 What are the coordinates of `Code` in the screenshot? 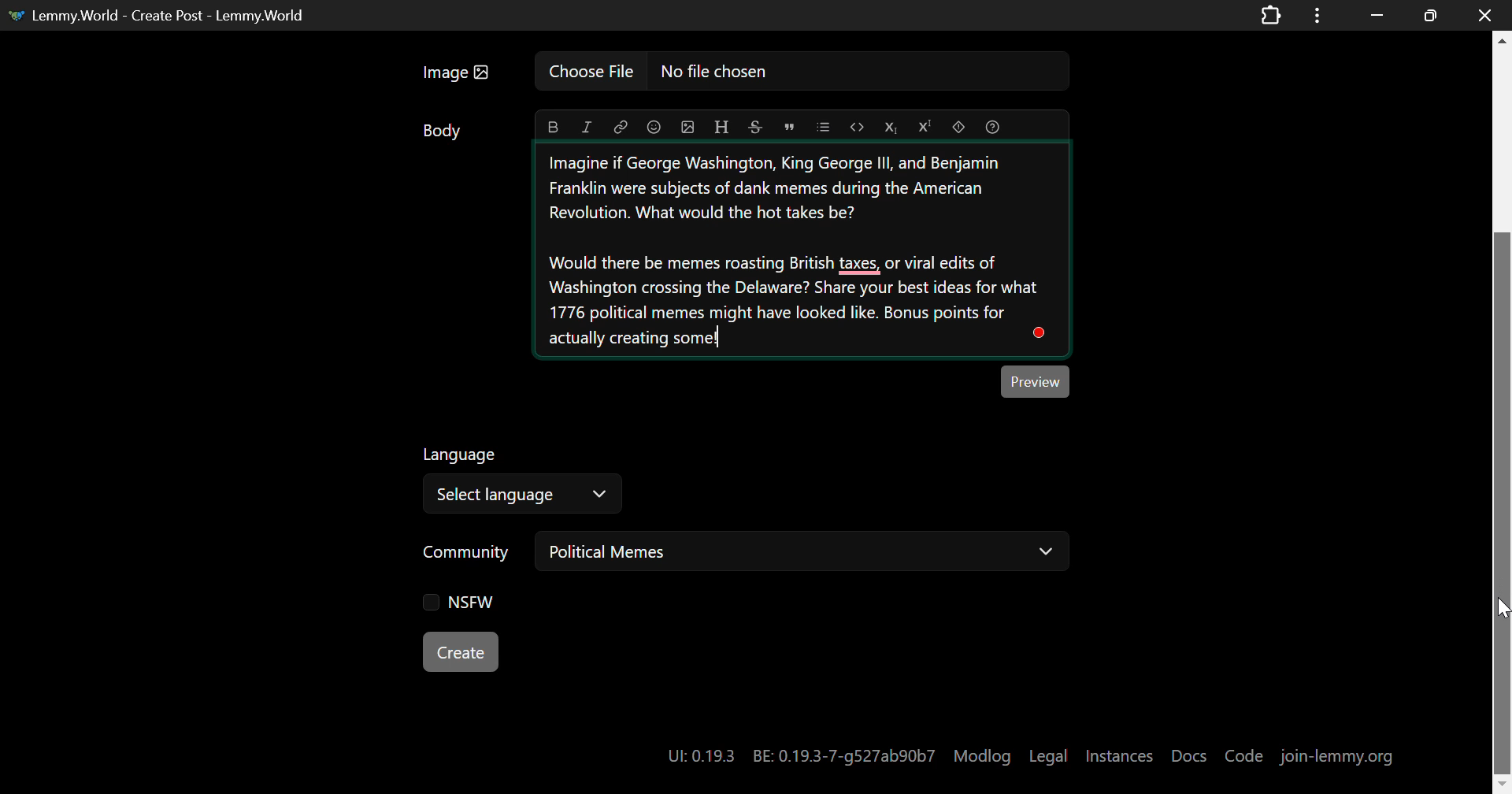 It's located at (1243, 757).